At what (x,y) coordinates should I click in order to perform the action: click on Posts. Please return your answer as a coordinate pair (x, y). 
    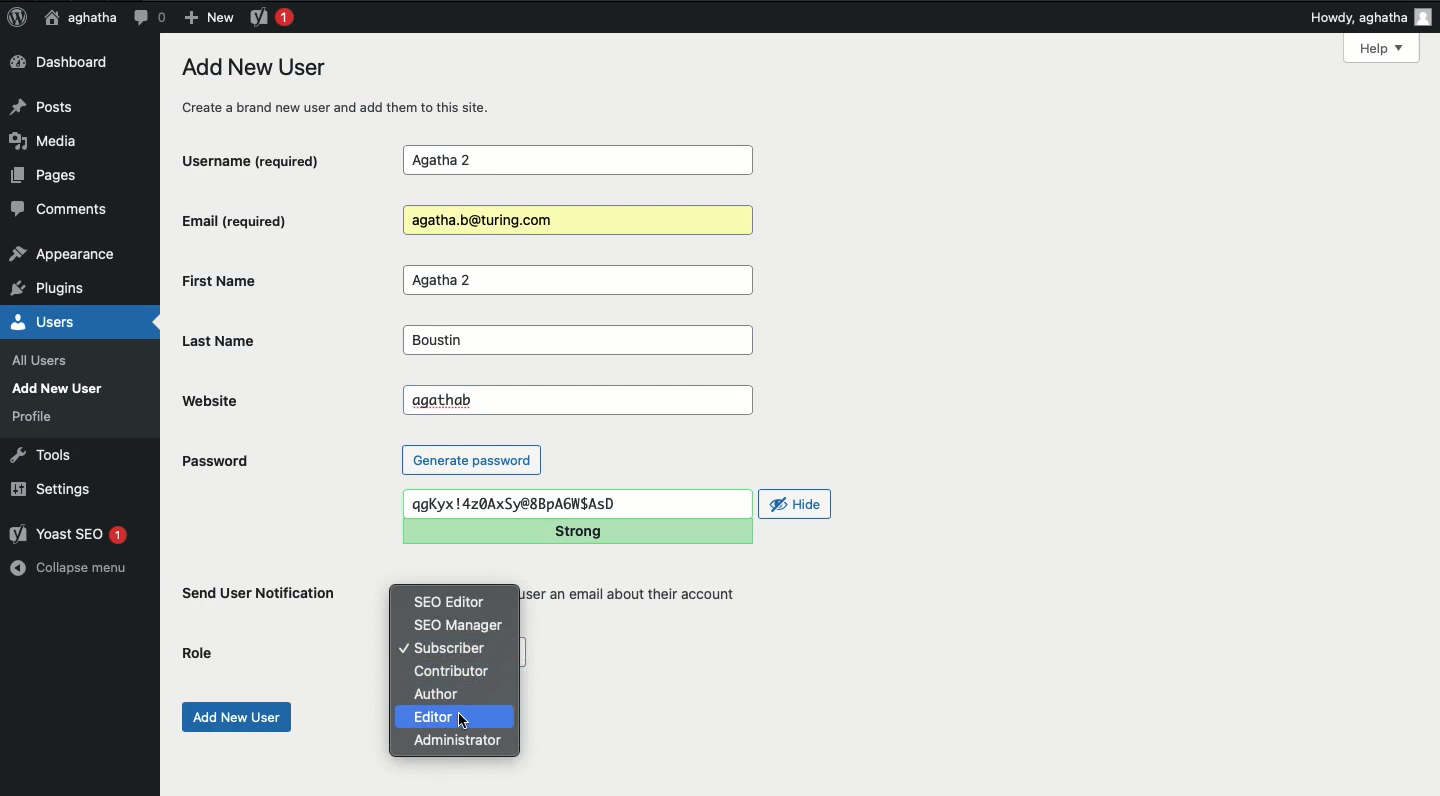
    Looking at the image, I should click on (47, 105).